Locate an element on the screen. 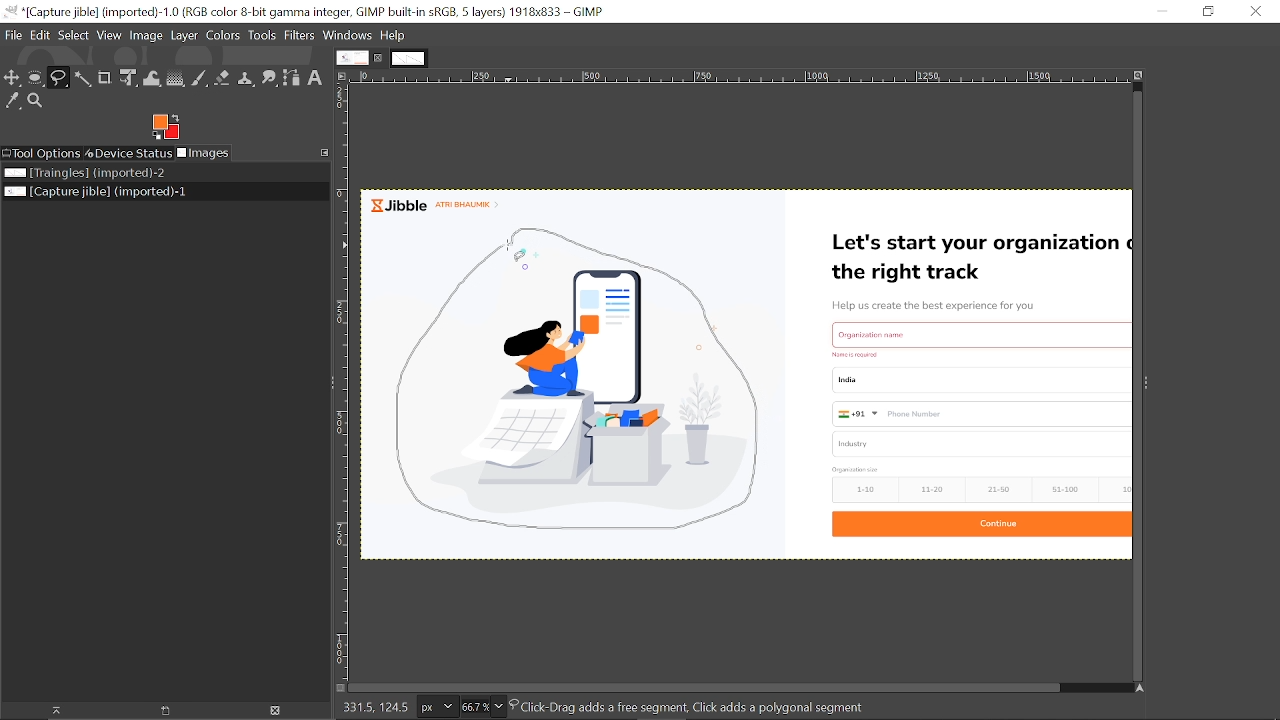 The width and height of the screenshot is (1280, 720). Zoom image when window size changes is located at coordinates (1139, 77).